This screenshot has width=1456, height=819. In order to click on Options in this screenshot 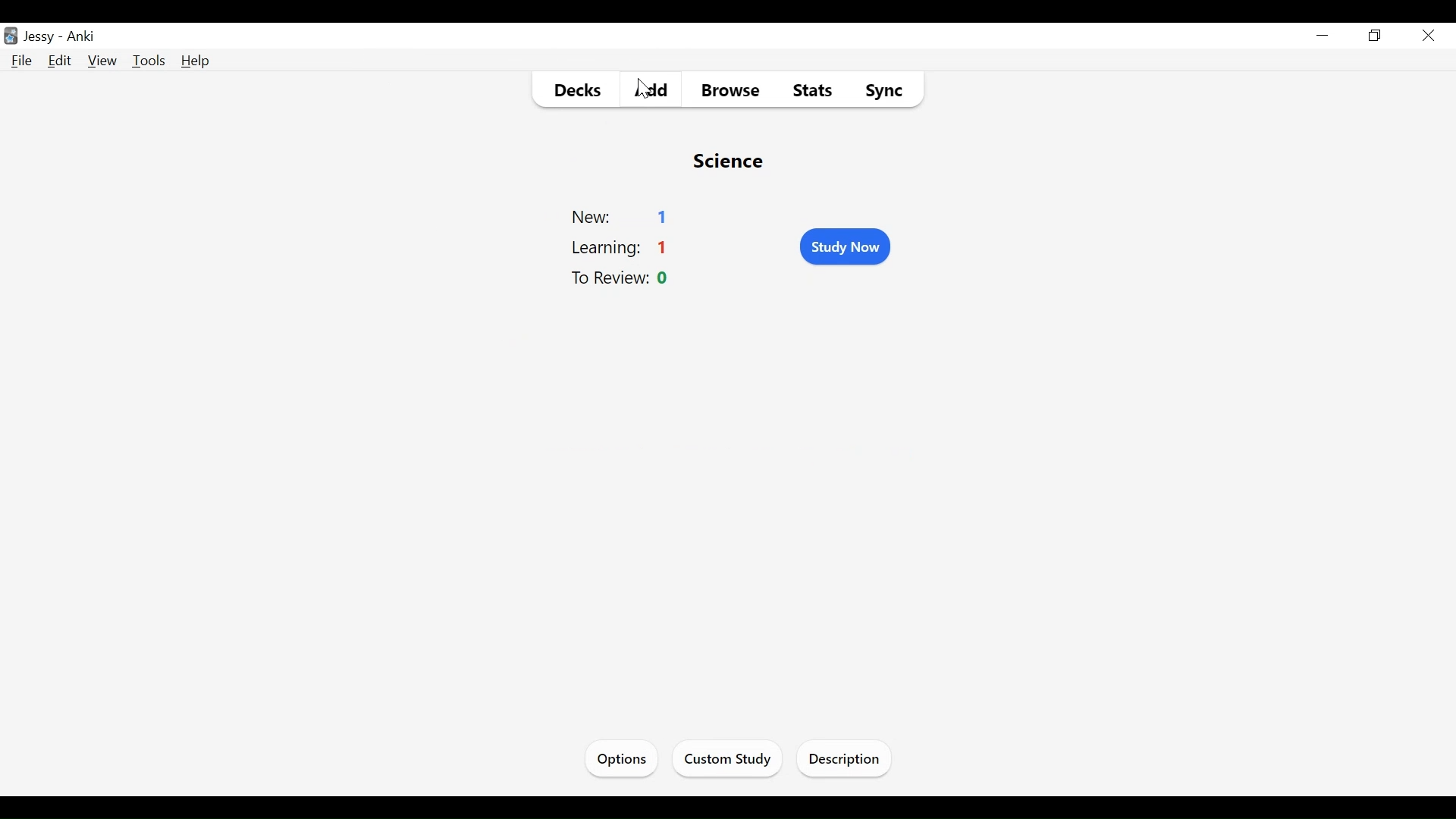, I will do `click(620, 759)`.